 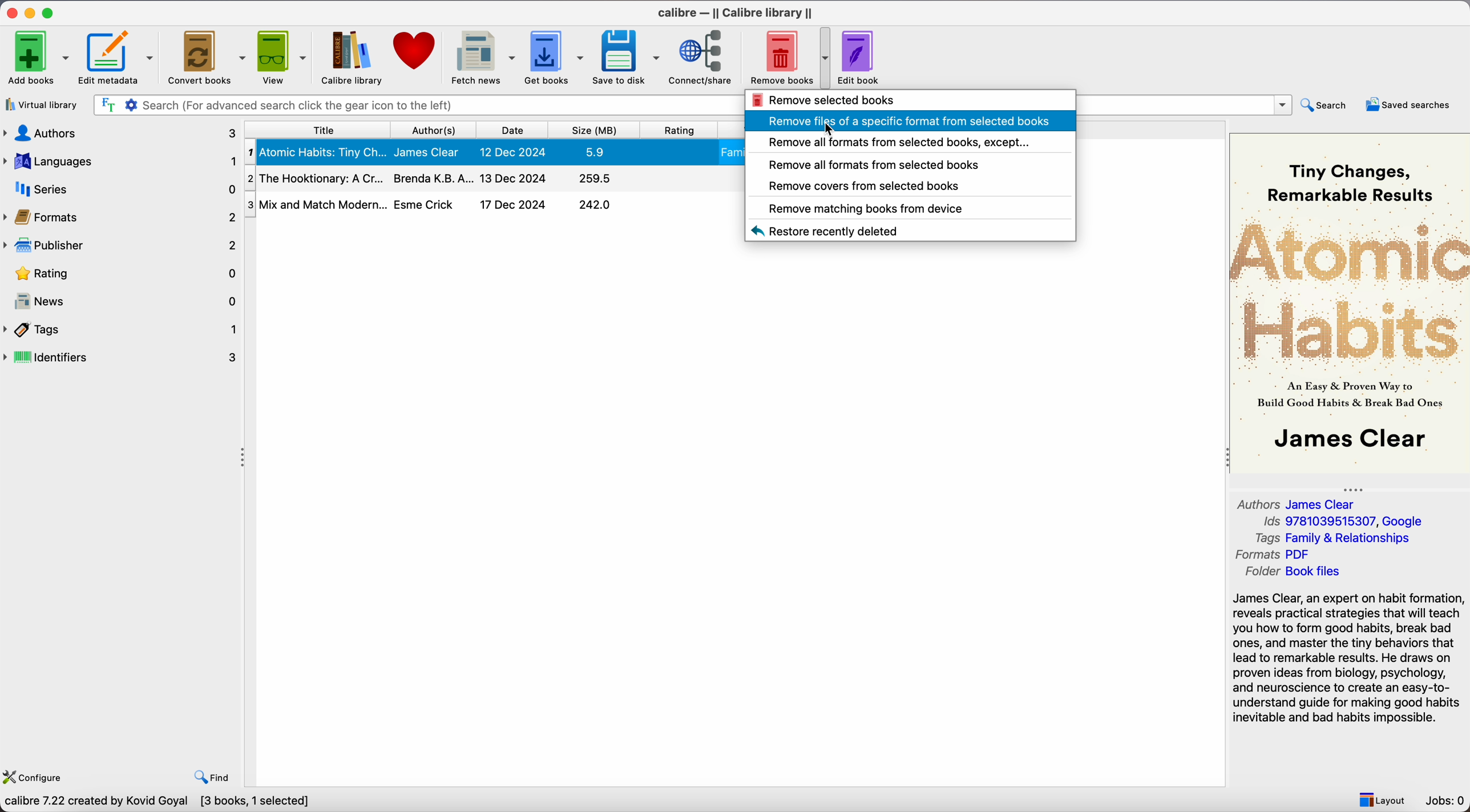 I want to click on layout, so click(x=1383, y=799).